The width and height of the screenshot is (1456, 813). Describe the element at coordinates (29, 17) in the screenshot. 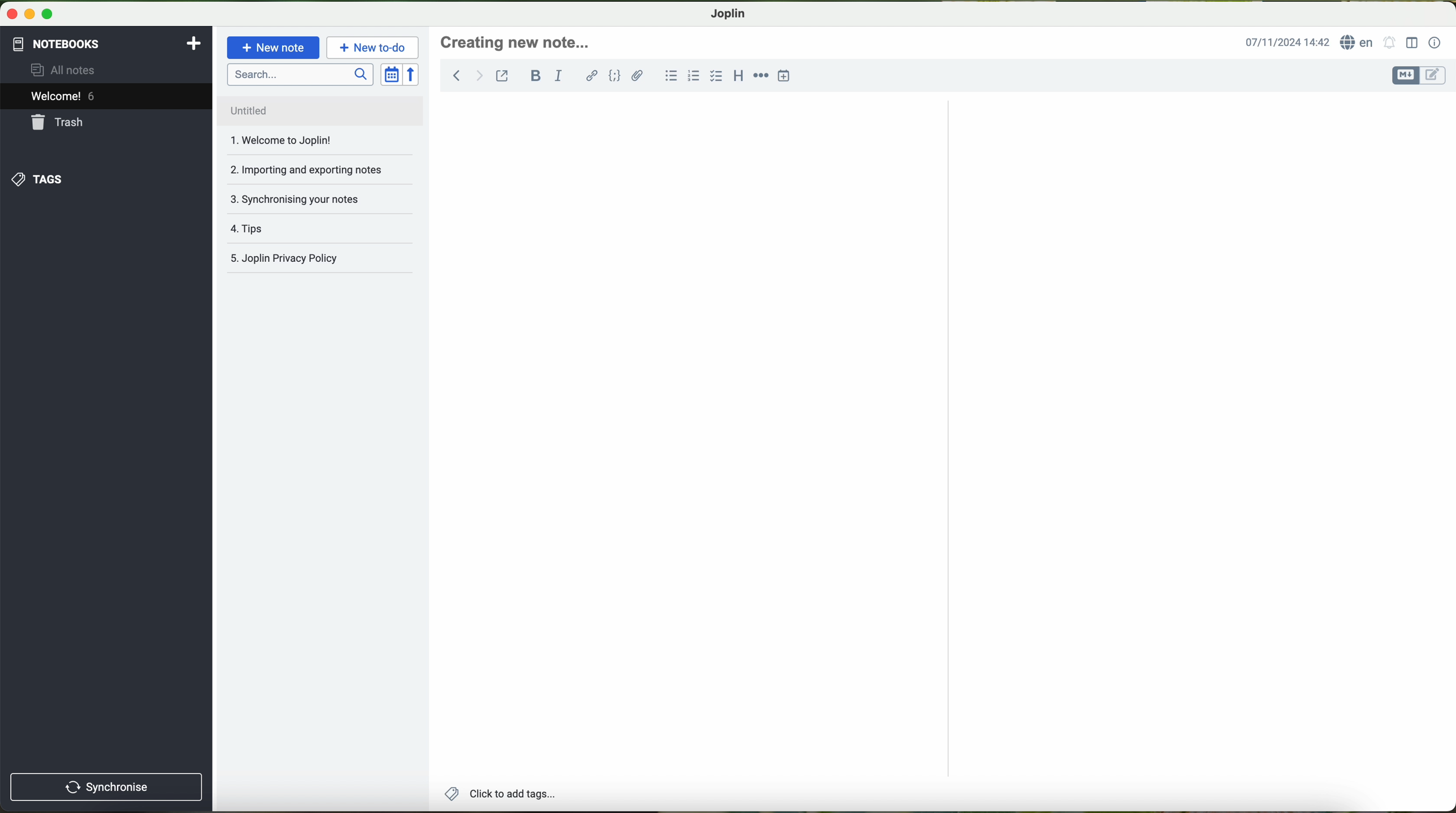

I see `minimize` at that location.